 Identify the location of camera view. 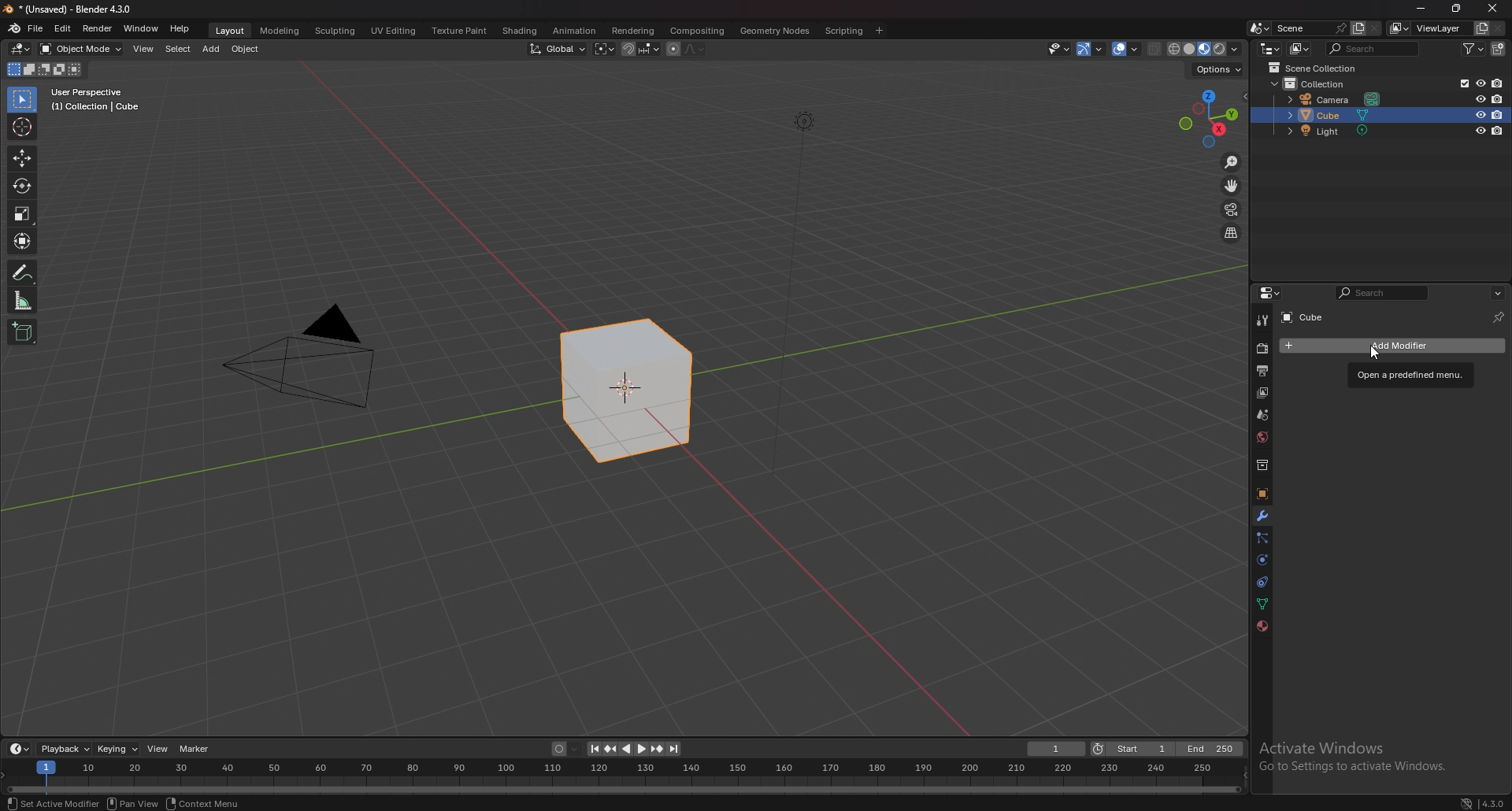
(1232, 210).